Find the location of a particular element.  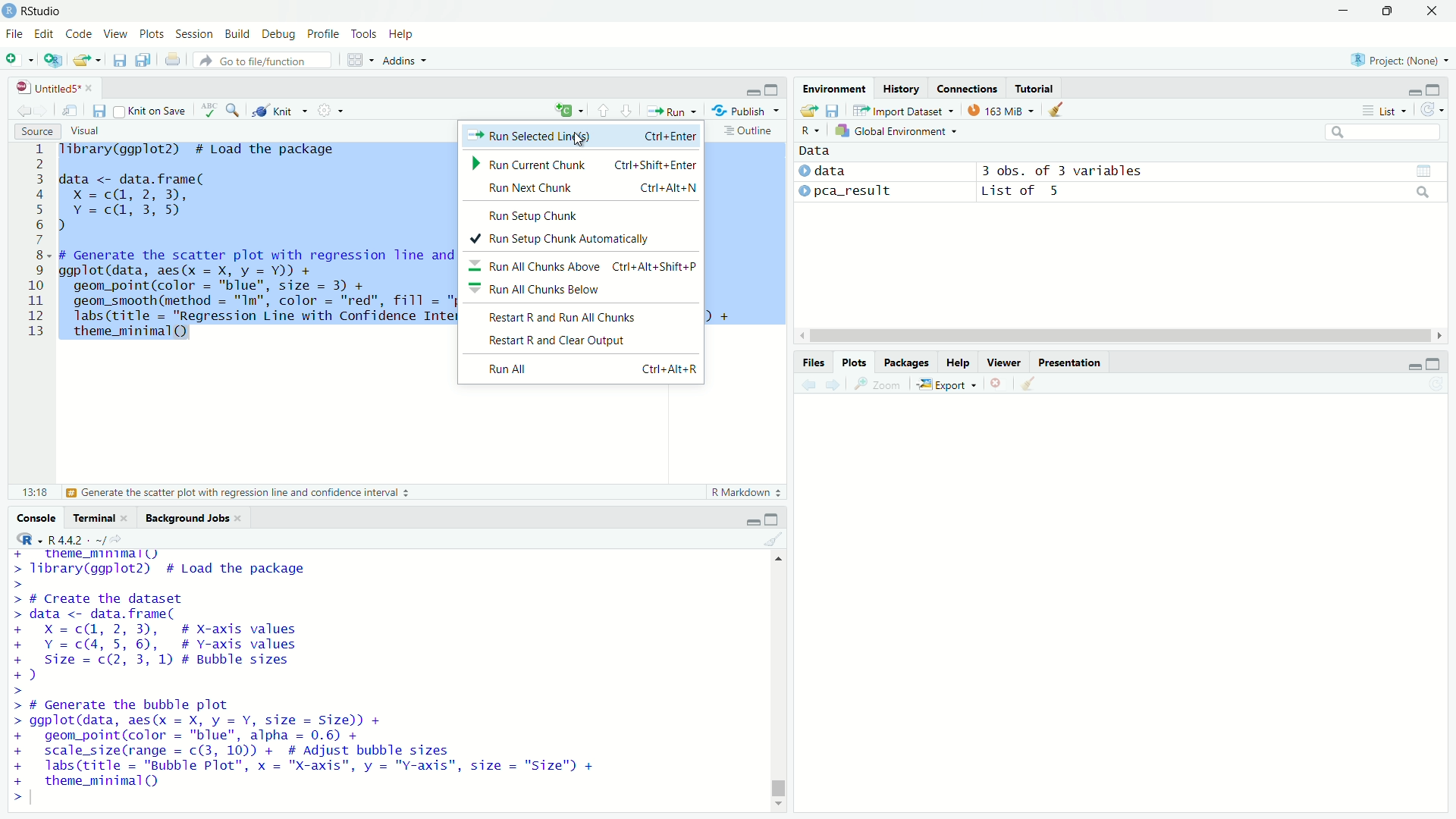

Find/Replace is located at coordinates (233, 110).